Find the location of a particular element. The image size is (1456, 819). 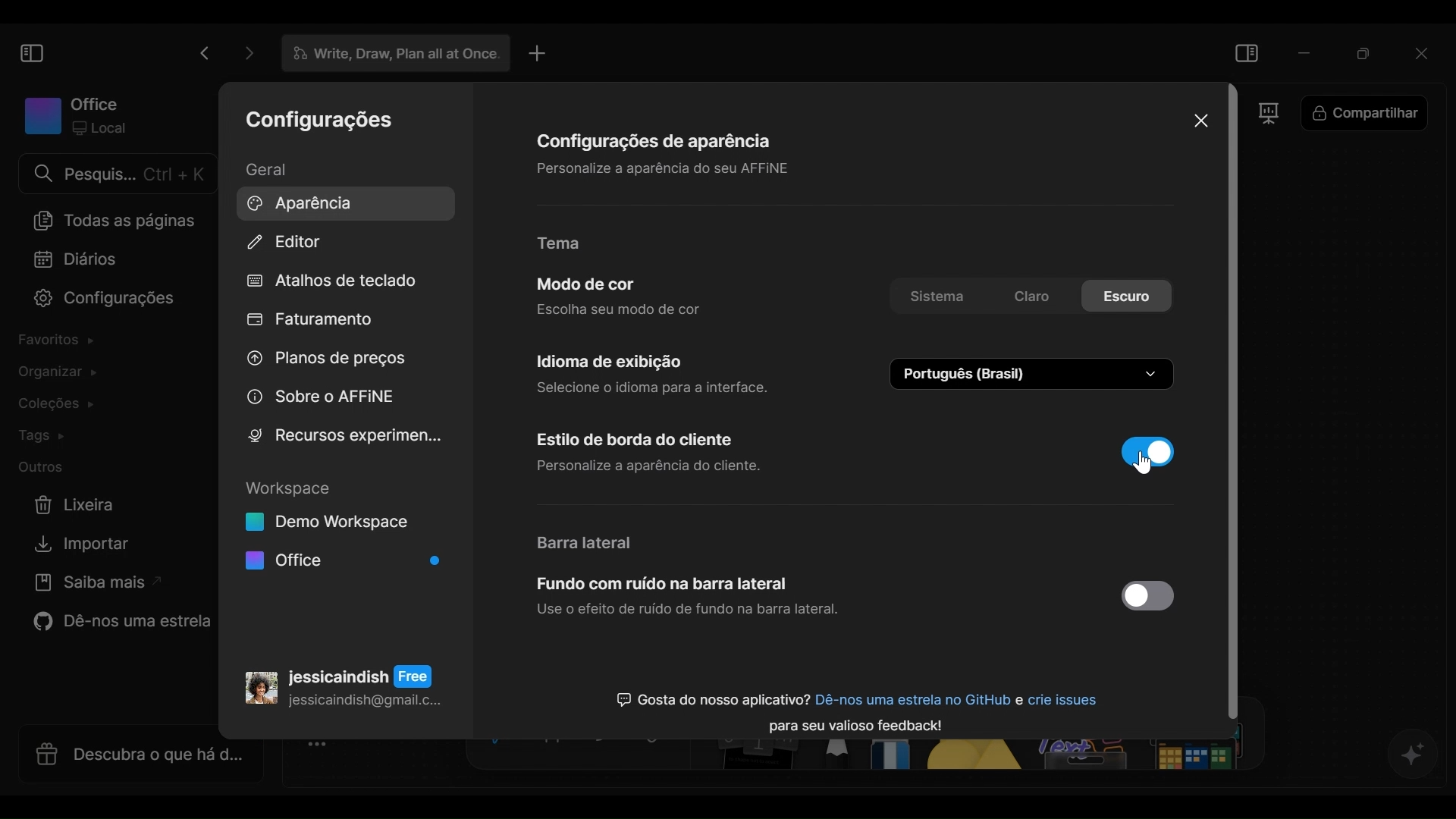

Frame is located at coordinates (560, 748).